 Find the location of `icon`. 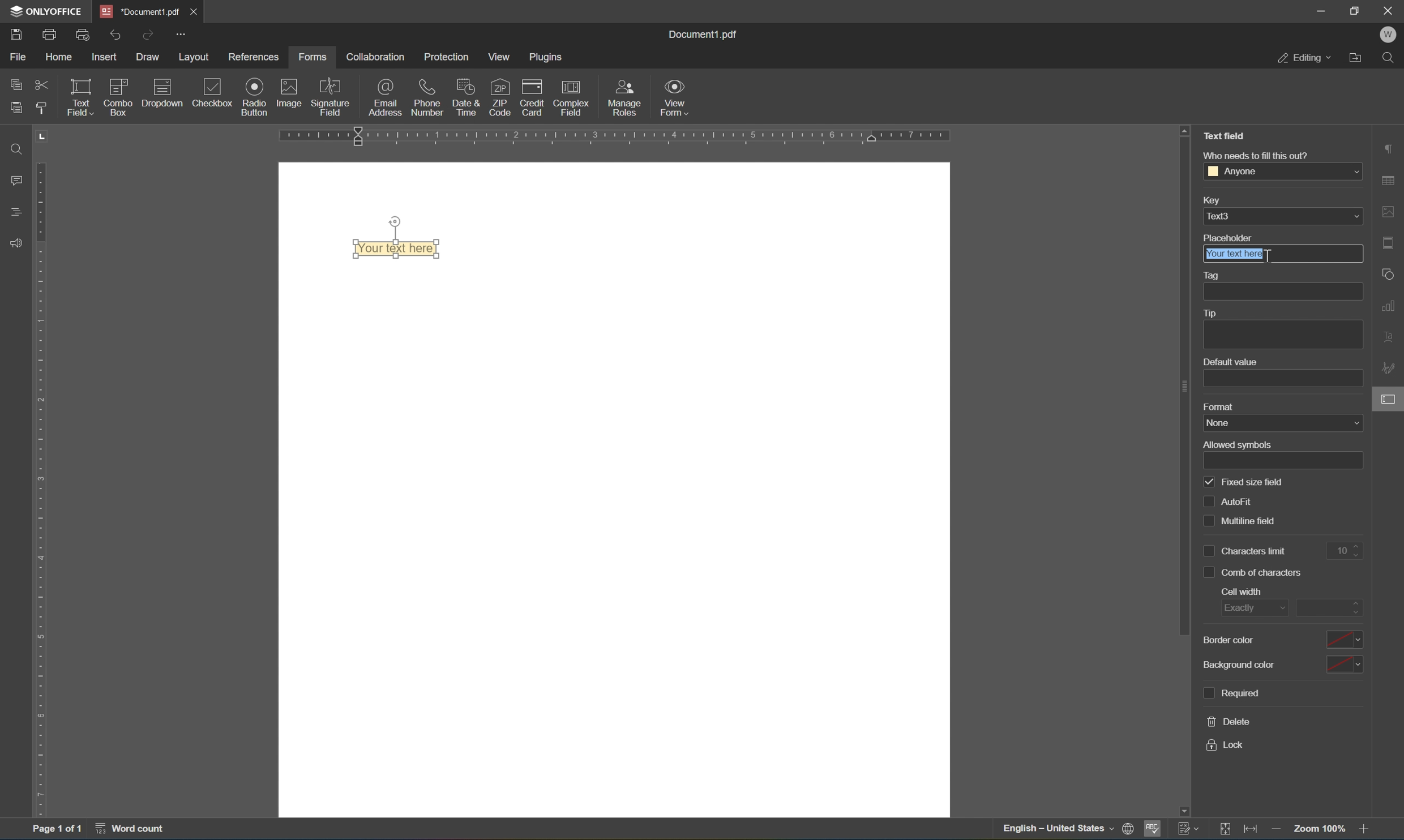

icon is located at coordinates (167, 87).